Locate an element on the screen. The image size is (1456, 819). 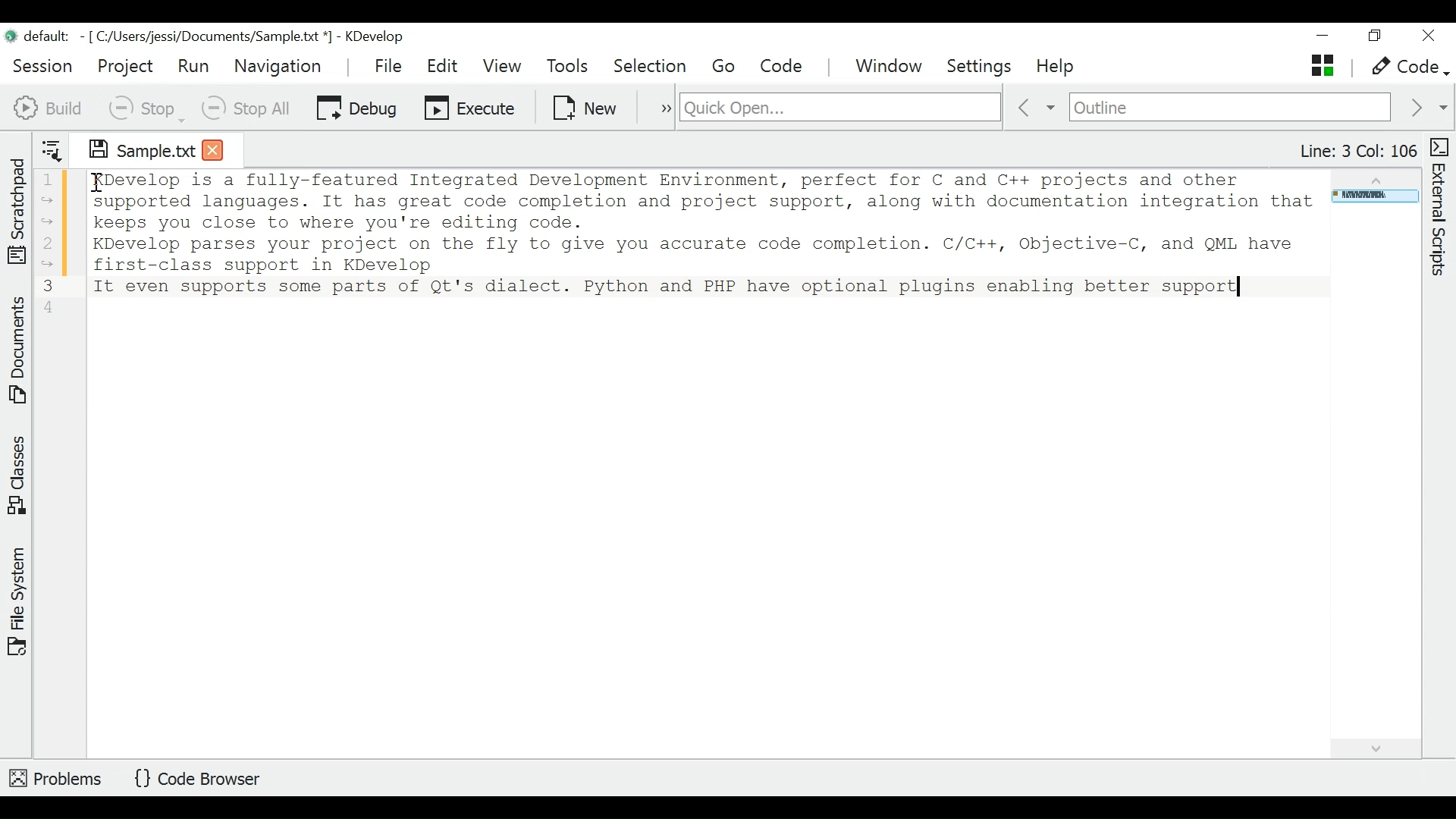
Project is located at coordinates (124, 66).